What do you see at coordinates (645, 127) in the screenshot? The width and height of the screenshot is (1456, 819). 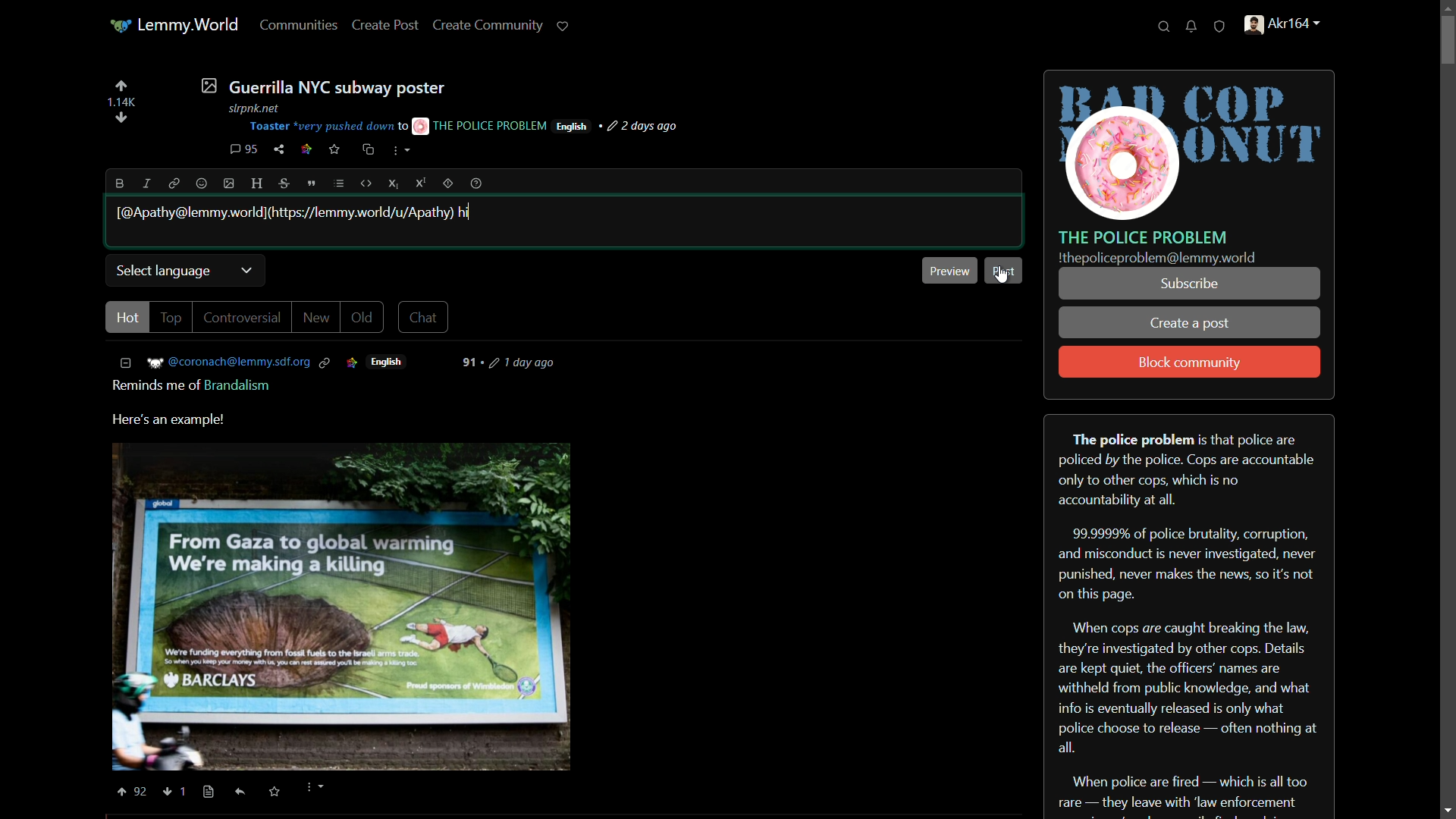 I see `post-time` at bounding box center [645, 127].